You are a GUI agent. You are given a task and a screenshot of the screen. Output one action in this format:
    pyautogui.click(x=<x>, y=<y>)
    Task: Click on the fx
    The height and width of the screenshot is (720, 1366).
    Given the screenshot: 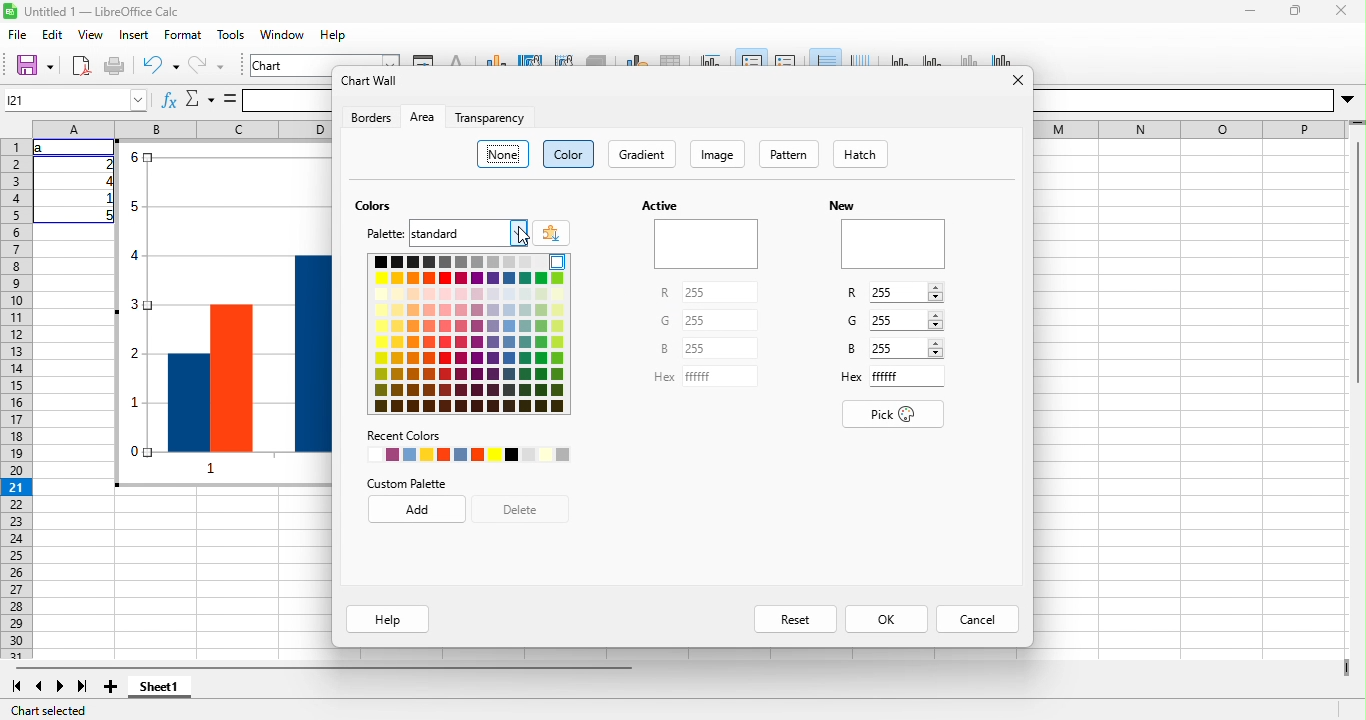 What is the action you would take?
    pyautogui.click(x=169, y=99)
    